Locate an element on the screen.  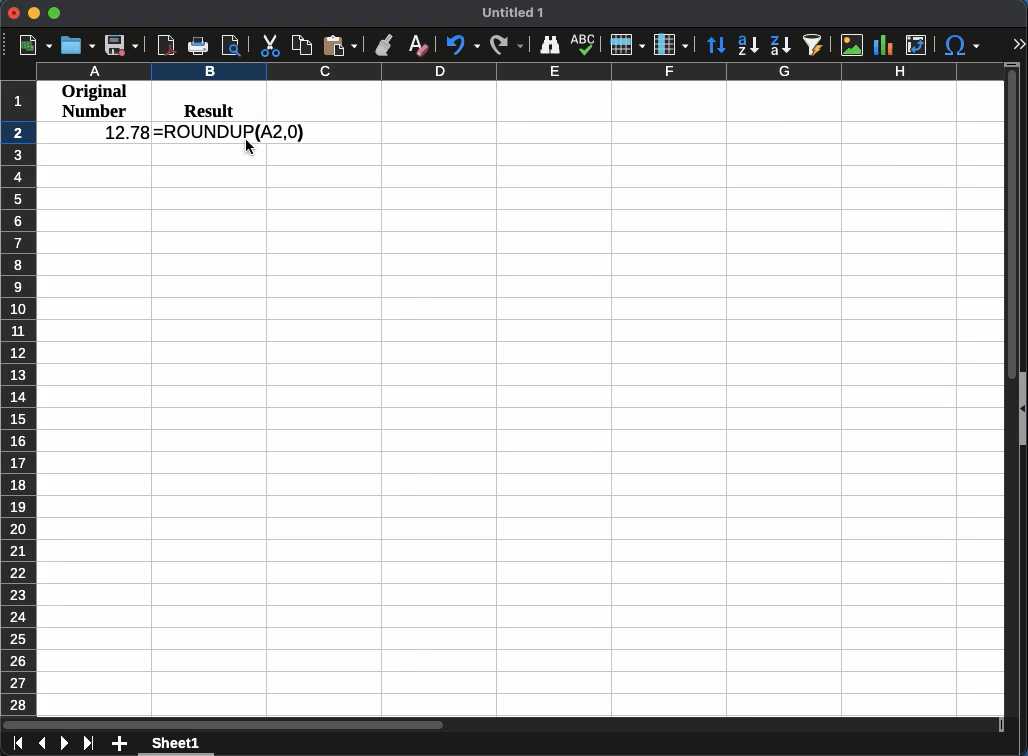
Undo is located at coordinates (462, 47).